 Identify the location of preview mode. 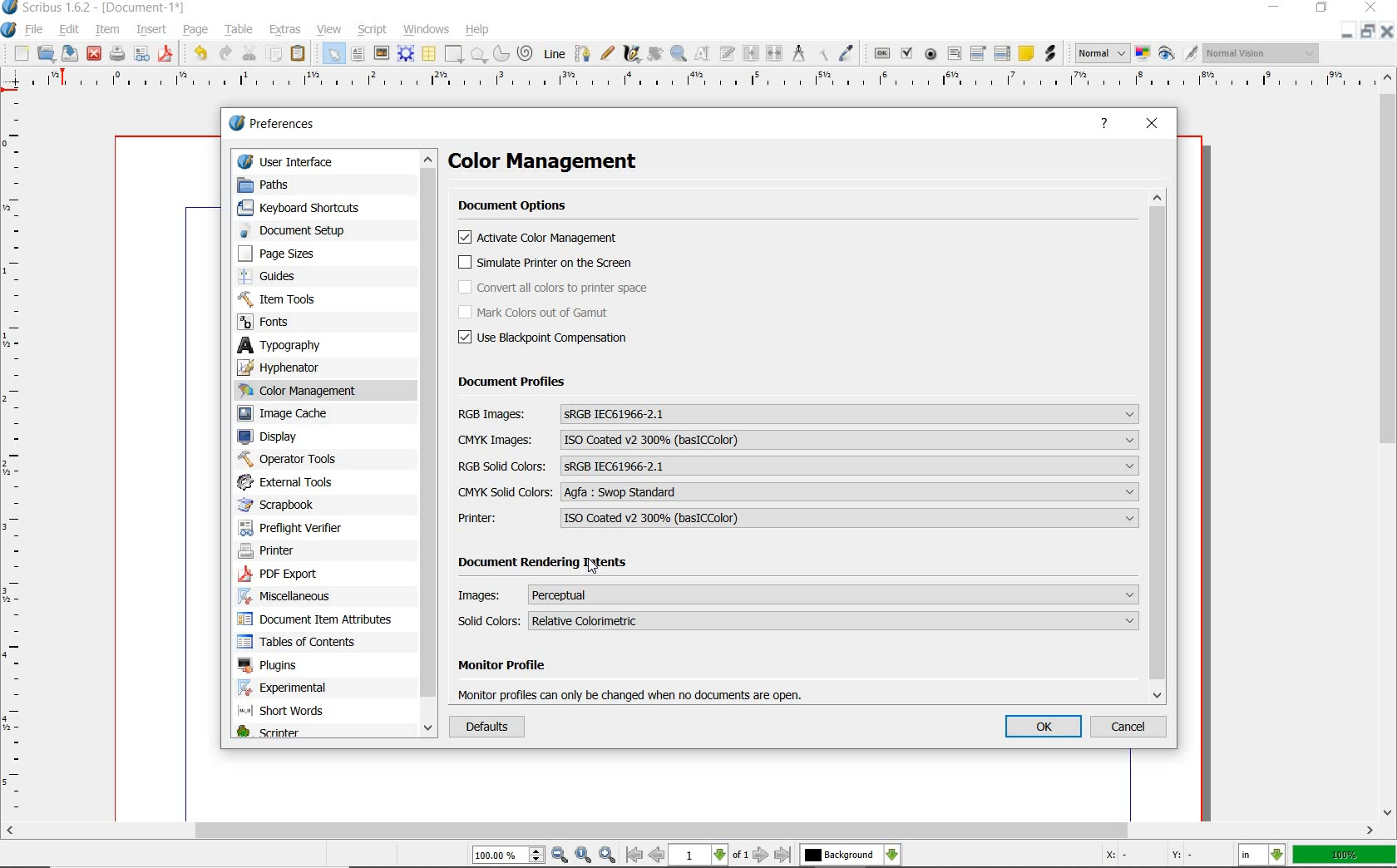
(1177, 55).